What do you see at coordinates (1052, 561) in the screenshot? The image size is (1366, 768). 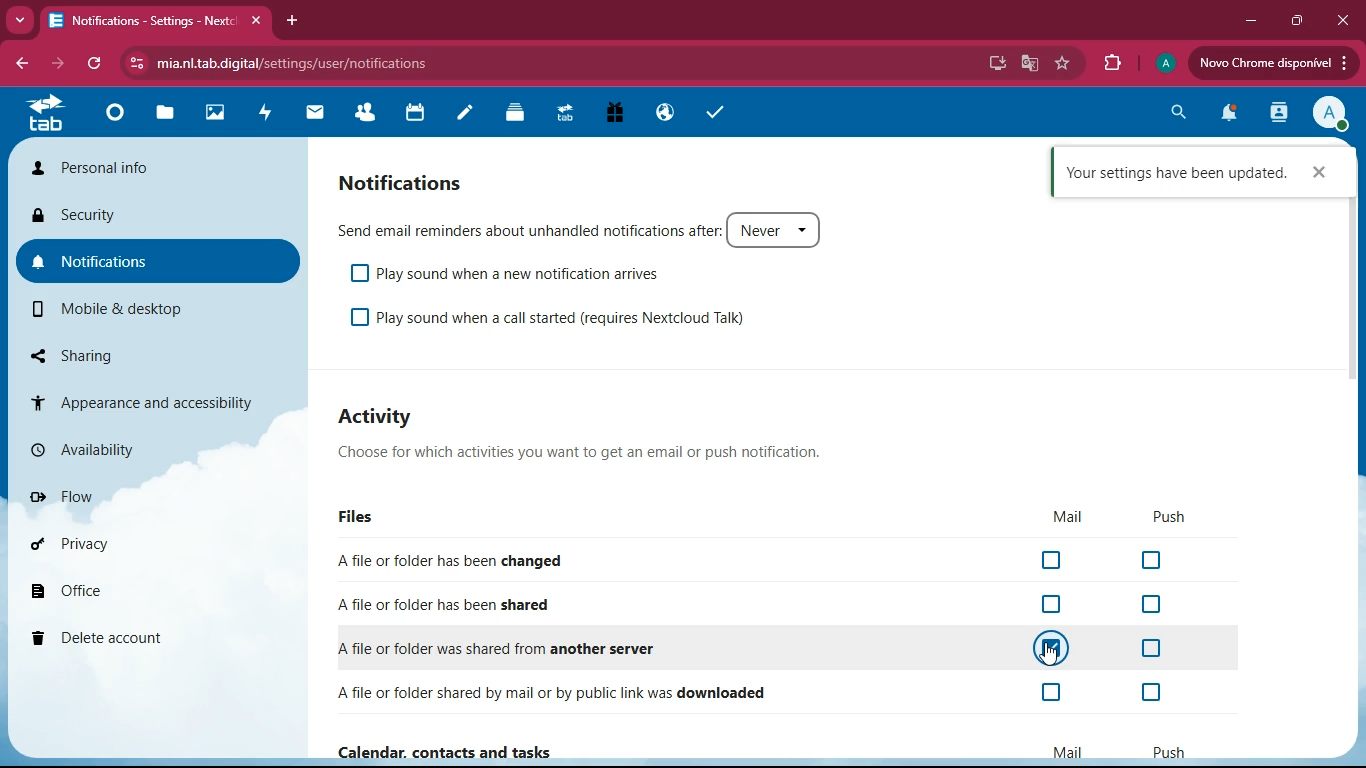 I see `off` at bounding box center [1052, 561].